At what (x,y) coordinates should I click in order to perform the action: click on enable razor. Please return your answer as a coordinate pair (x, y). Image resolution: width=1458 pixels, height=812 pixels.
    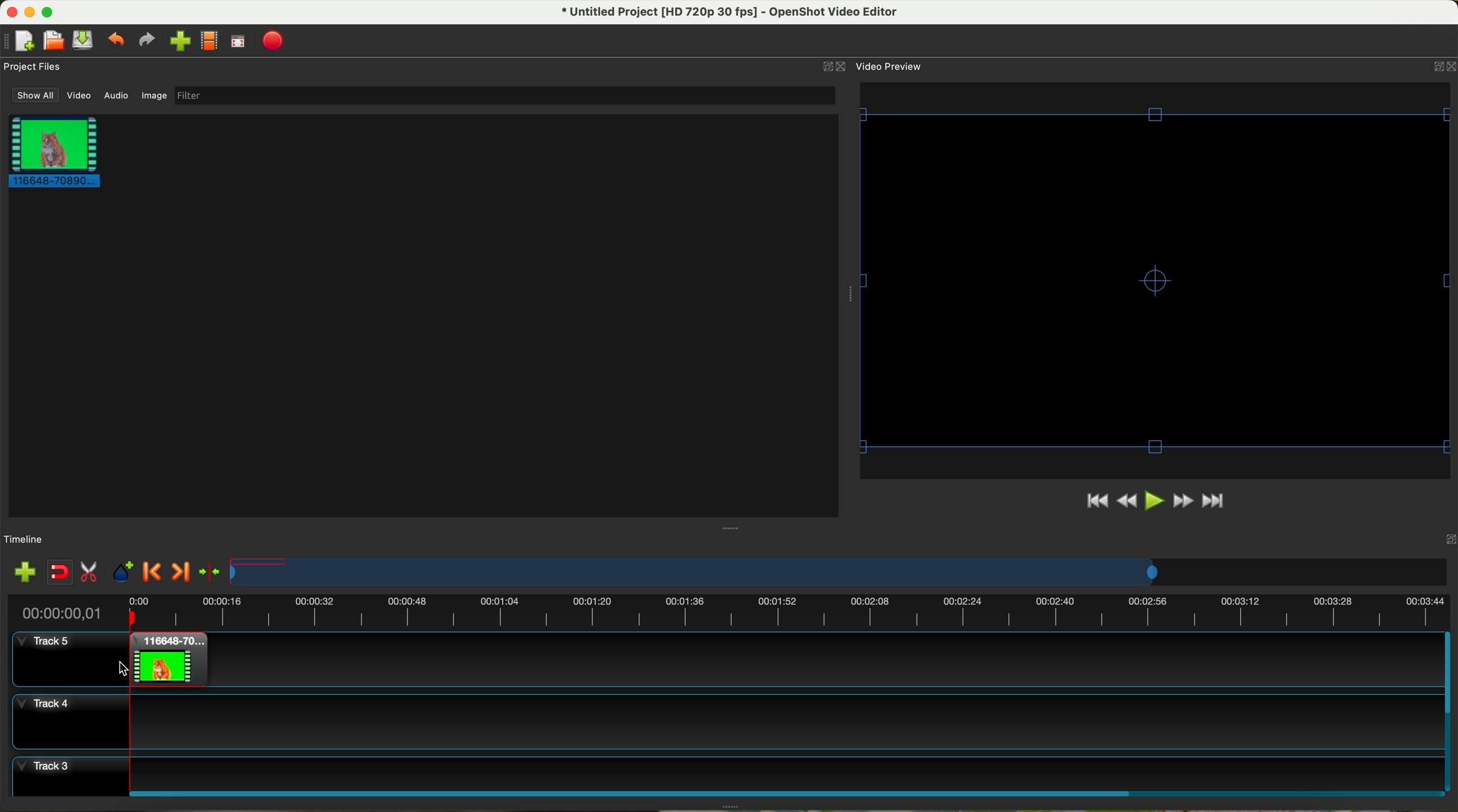
    Looking at the image, I should click on (89, 573).